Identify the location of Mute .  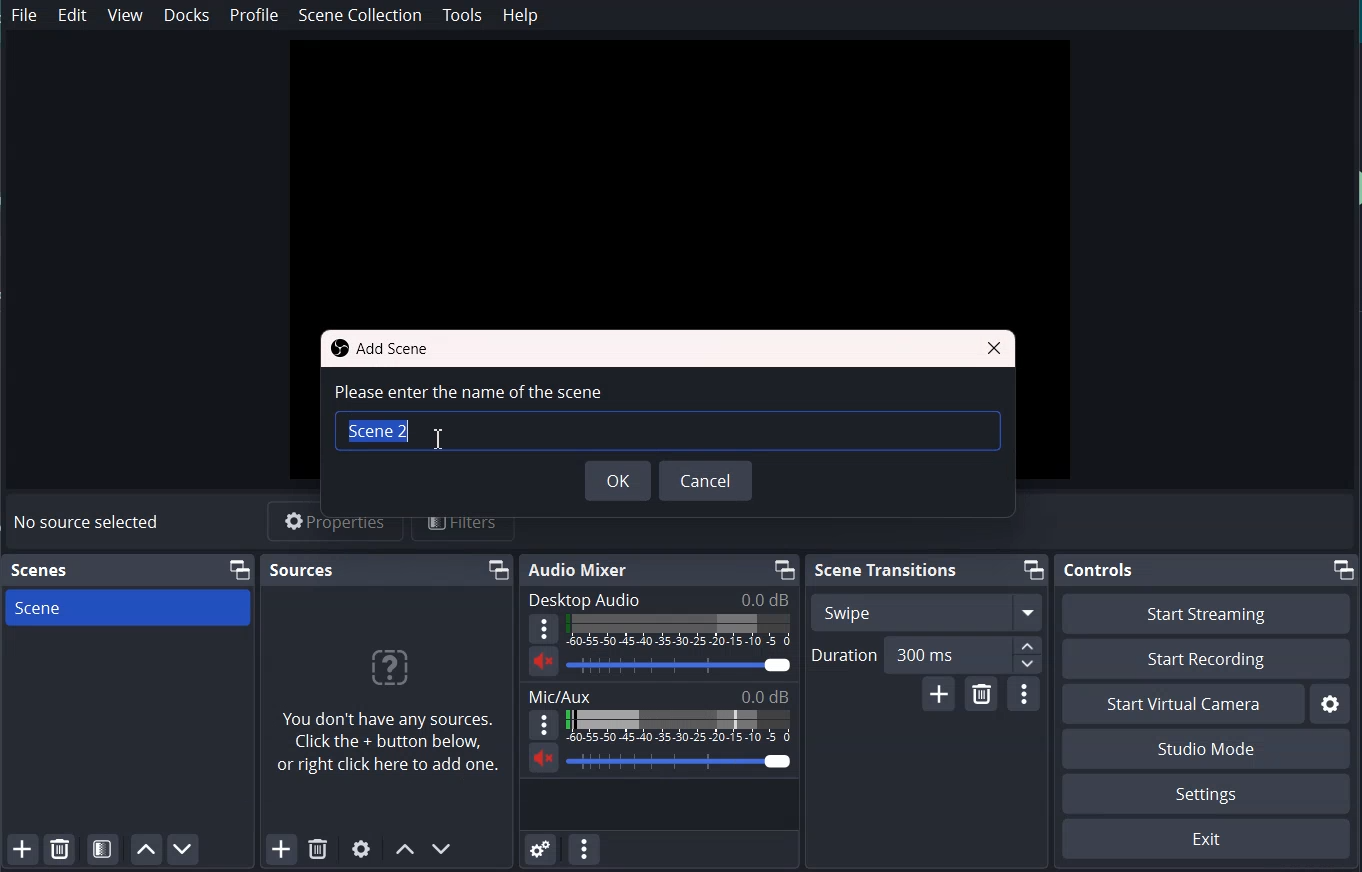
(544, 757).